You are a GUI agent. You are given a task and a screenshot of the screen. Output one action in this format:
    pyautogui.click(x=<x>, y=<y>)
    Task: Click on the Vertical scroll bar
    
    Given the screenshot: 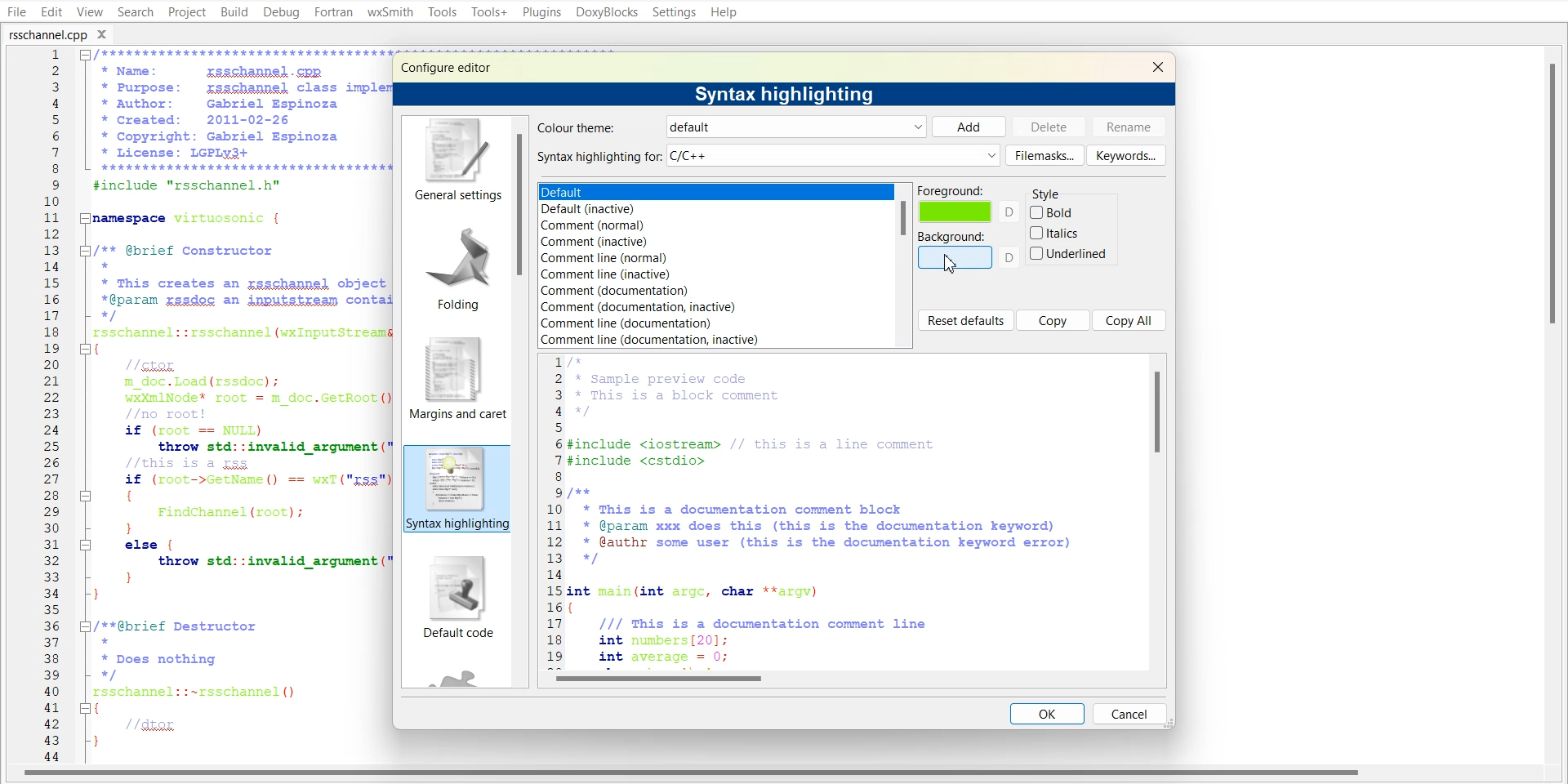 What is the action you would take?
    pyautogui.click(x=903, y=265)
    